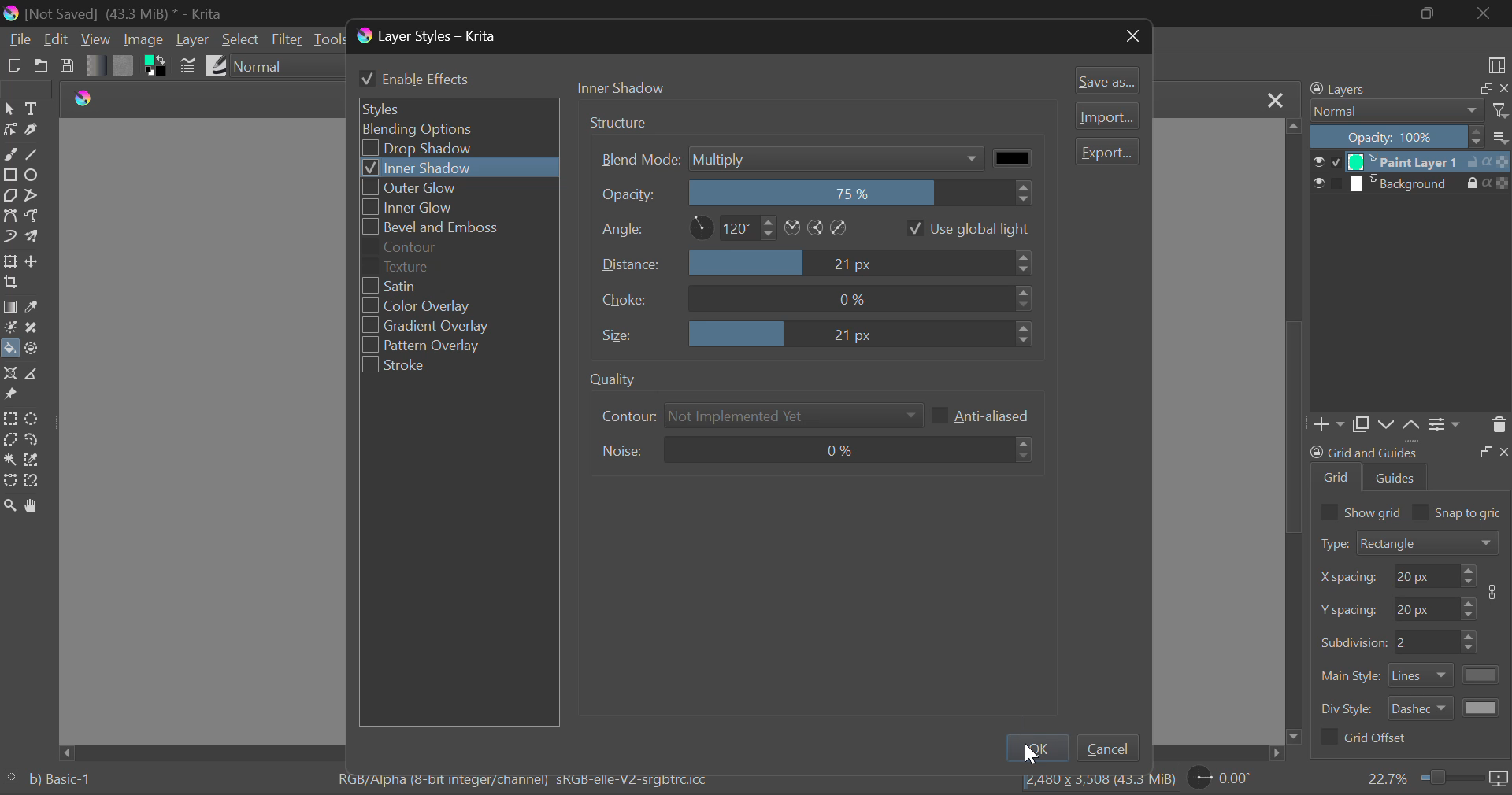  I want to click on Move Layer, so click(34, 262).